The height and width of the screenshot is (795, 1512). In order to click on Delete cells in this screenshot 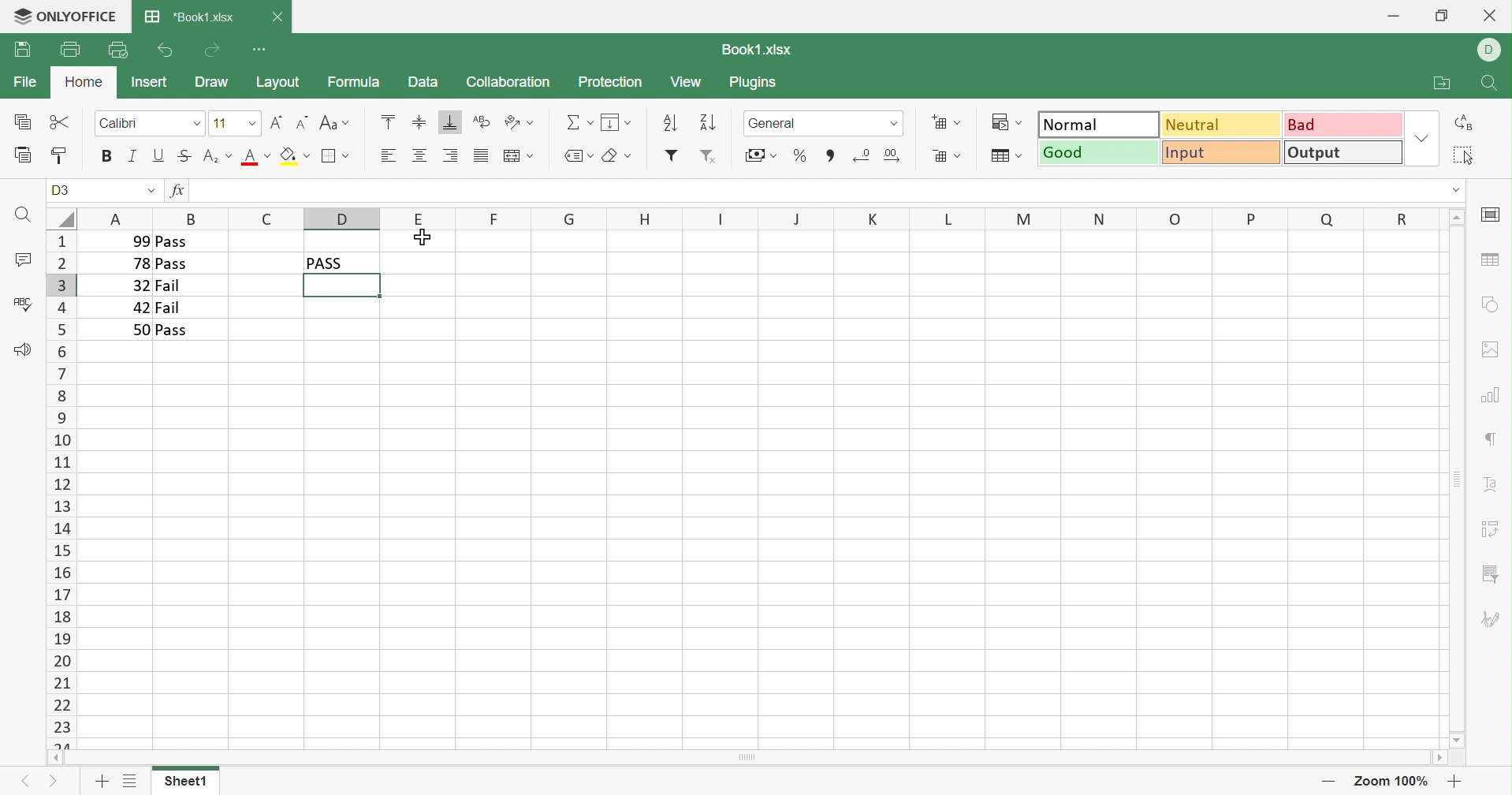, I will do `click(945, 155)`.